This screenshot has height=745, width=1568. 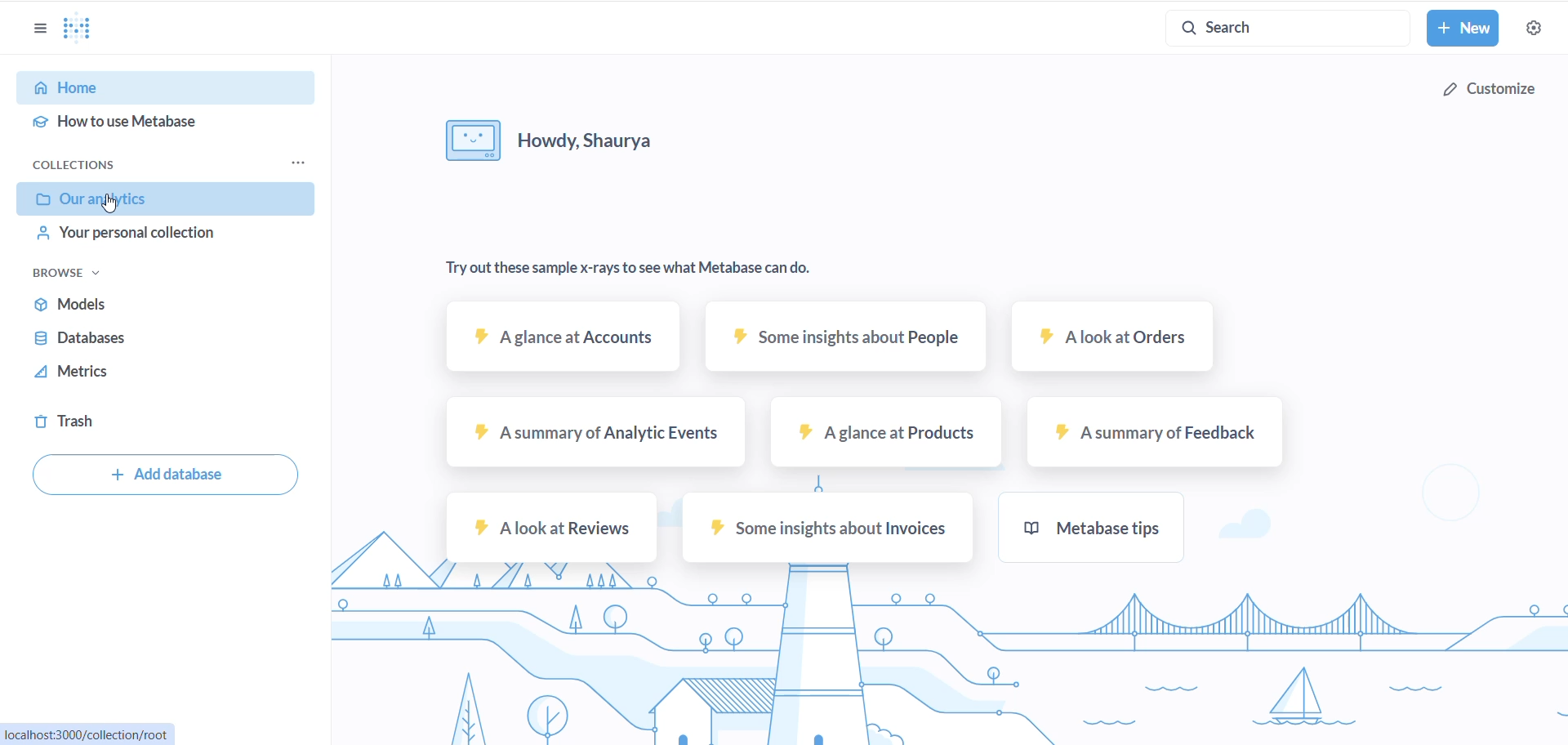 I want to click on models, so click(x=128, y=306).